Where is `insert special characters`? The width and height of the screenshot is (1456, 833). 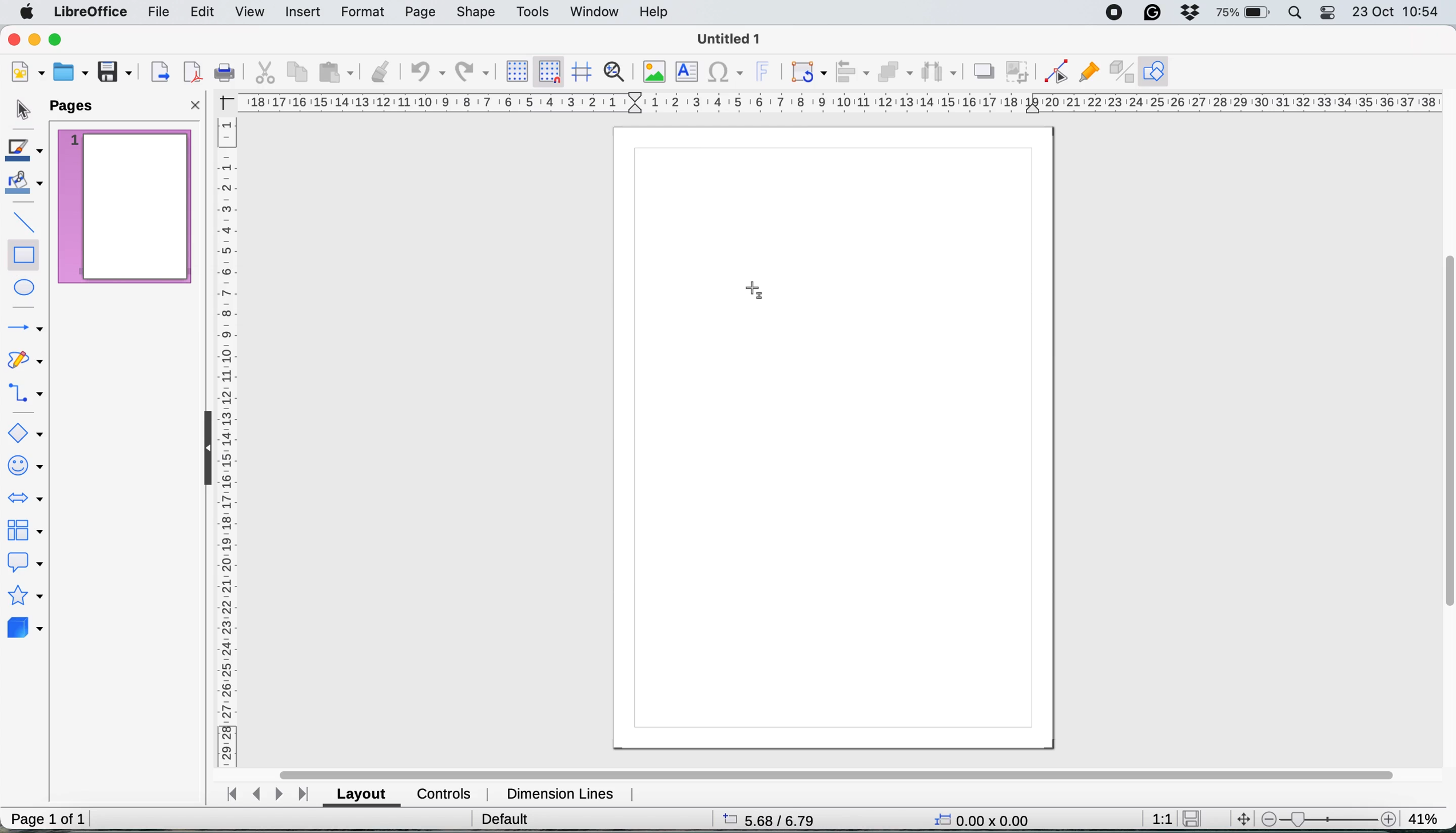
insert special characters is located at coordinates (726, 74).